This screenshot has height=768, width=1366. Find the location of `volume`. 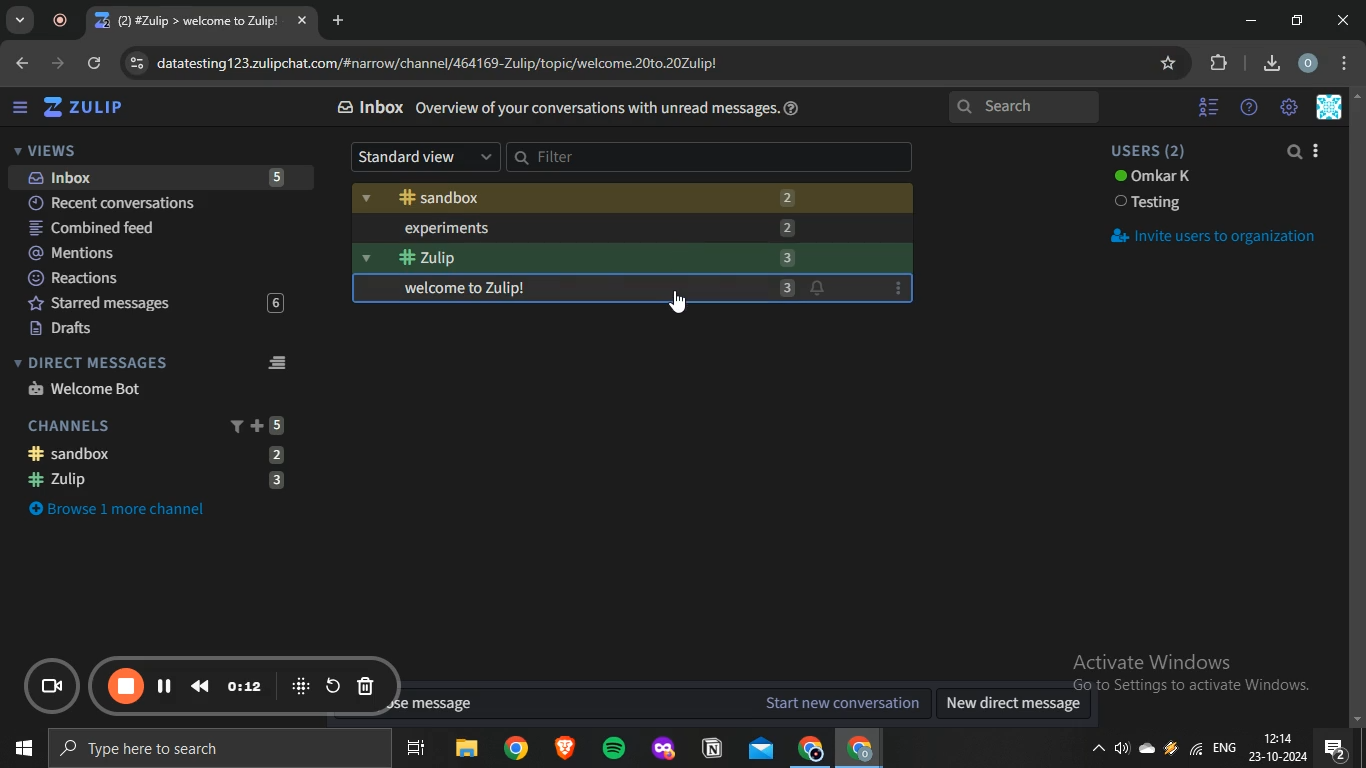

volume is located at coordinates (1123, 752).